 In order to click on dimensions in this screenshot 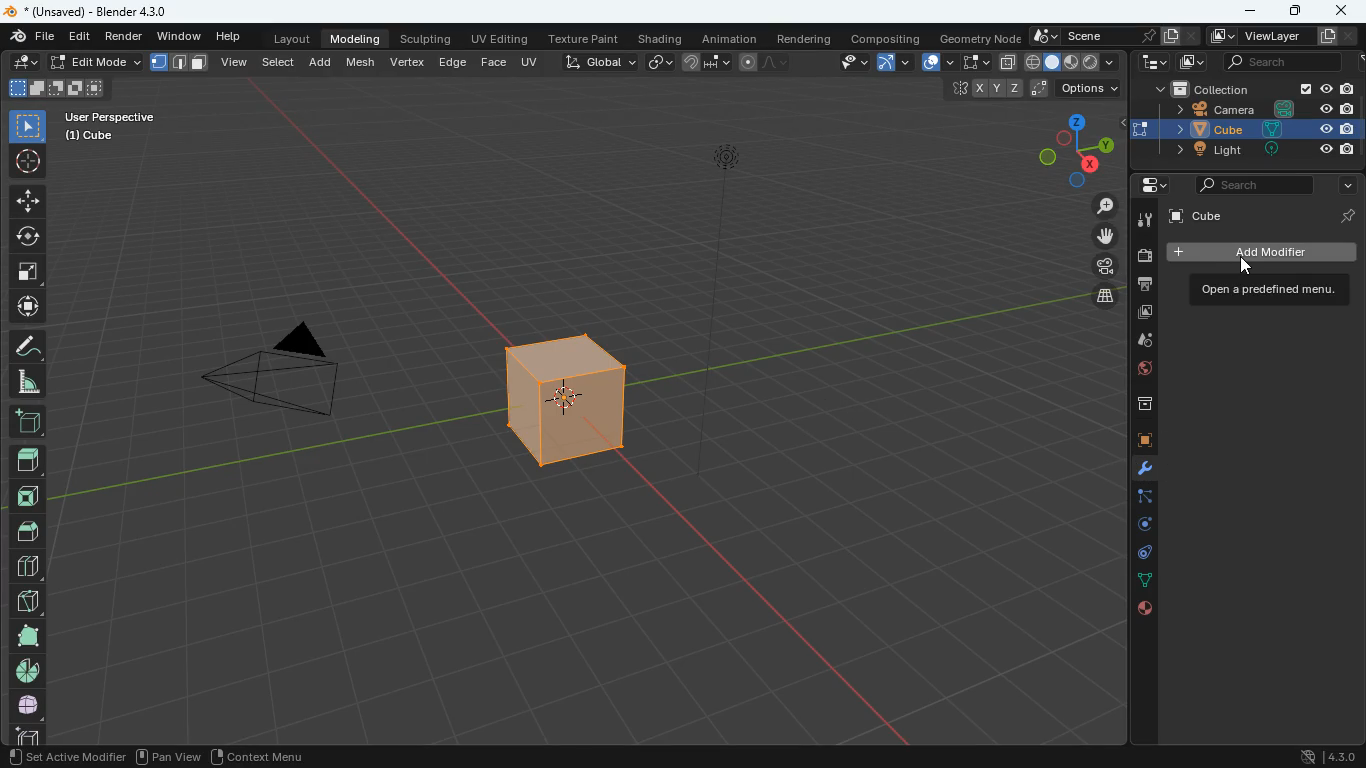, I will do `click(1063, 149)`.